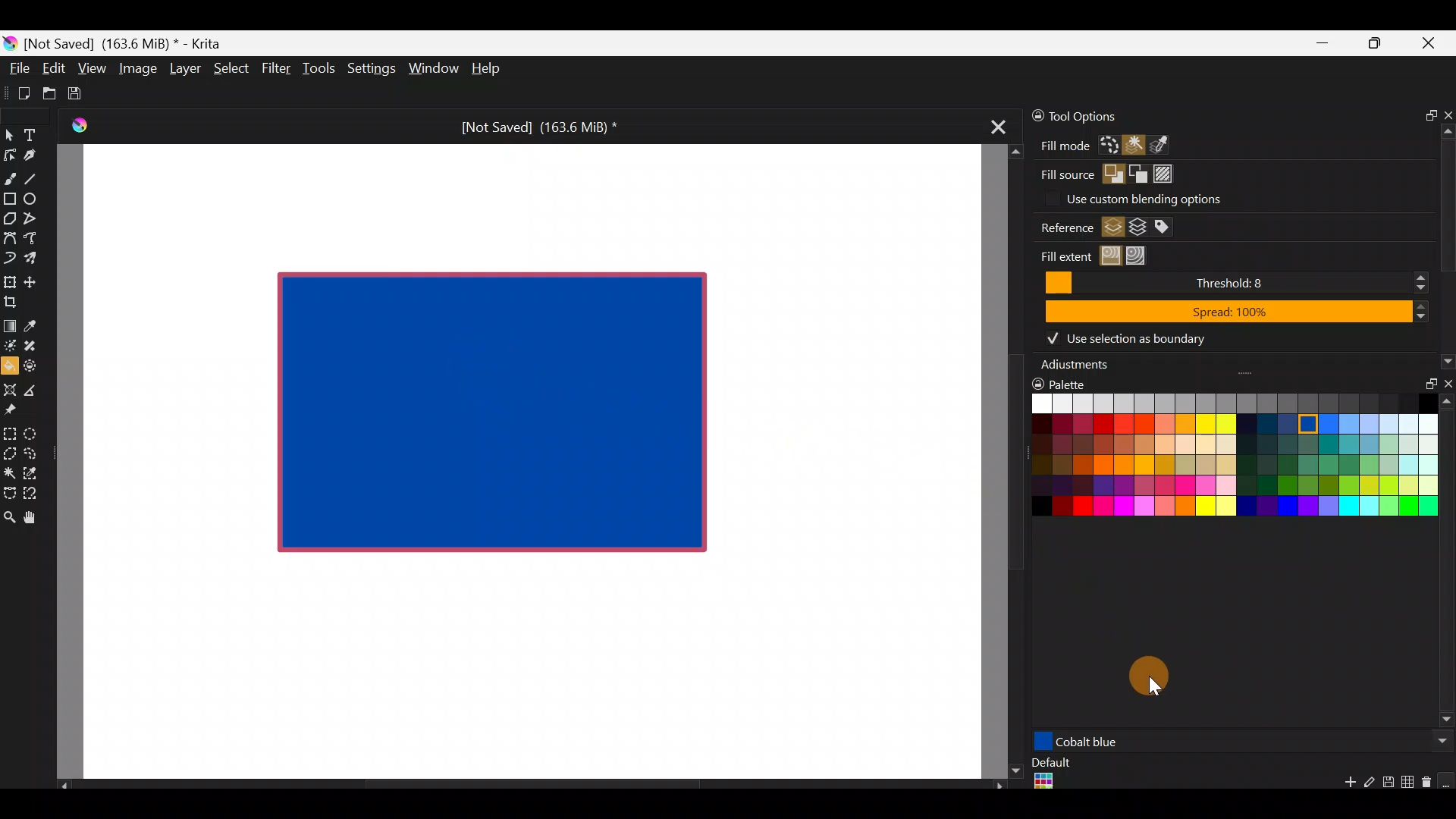 The width and height of the screenshot is (1456, 819). Describe the element at coordinates (1439, 741) in the screenshot. I see `Scroll button` at that location.